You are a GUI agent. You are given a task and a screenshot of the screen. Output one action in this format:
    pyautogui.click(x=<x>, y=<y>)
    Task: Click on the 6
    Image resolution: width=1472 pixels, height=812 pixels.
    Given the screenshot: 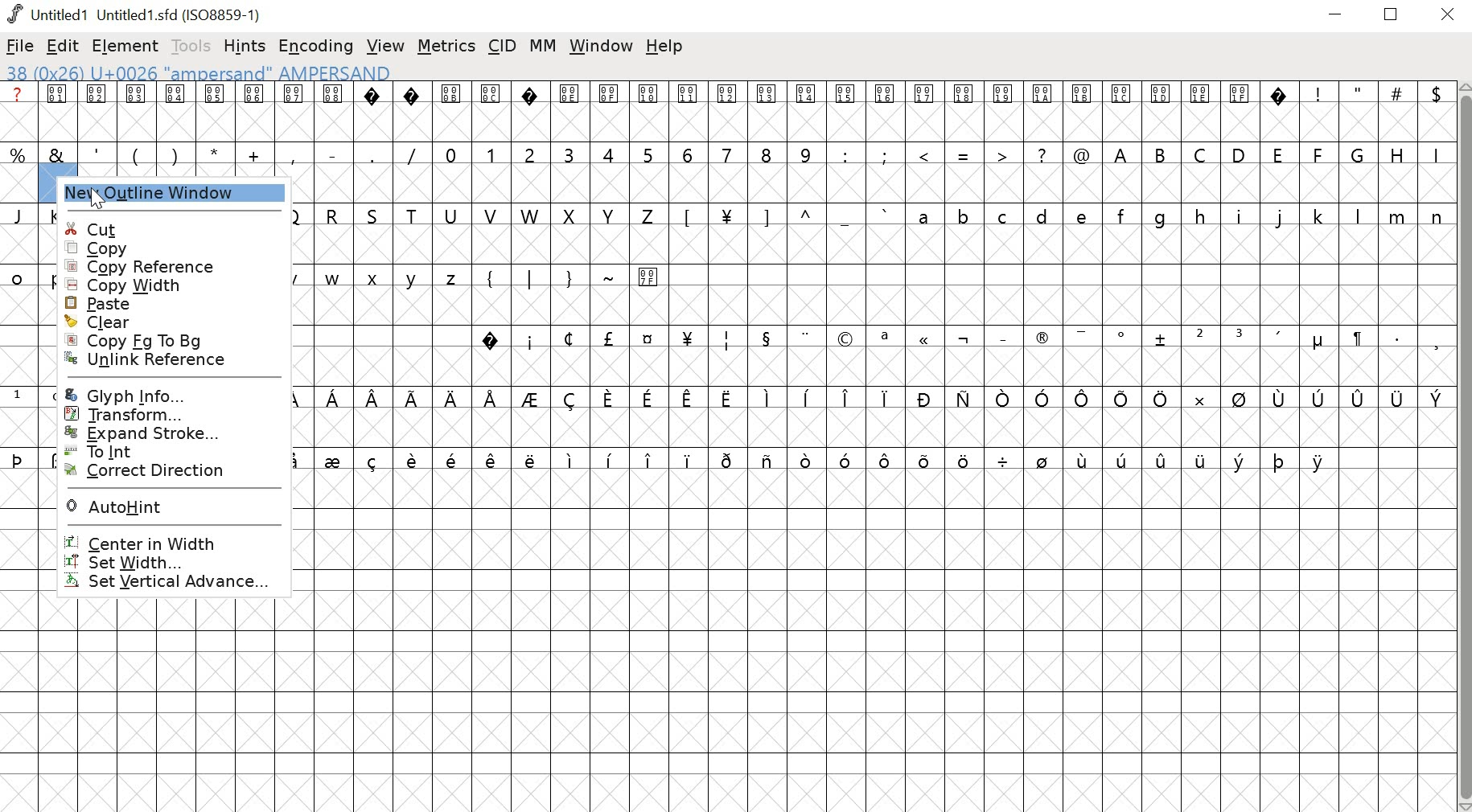 What is the action you would take?
    pyautogui.click(x=691, y=153)
    